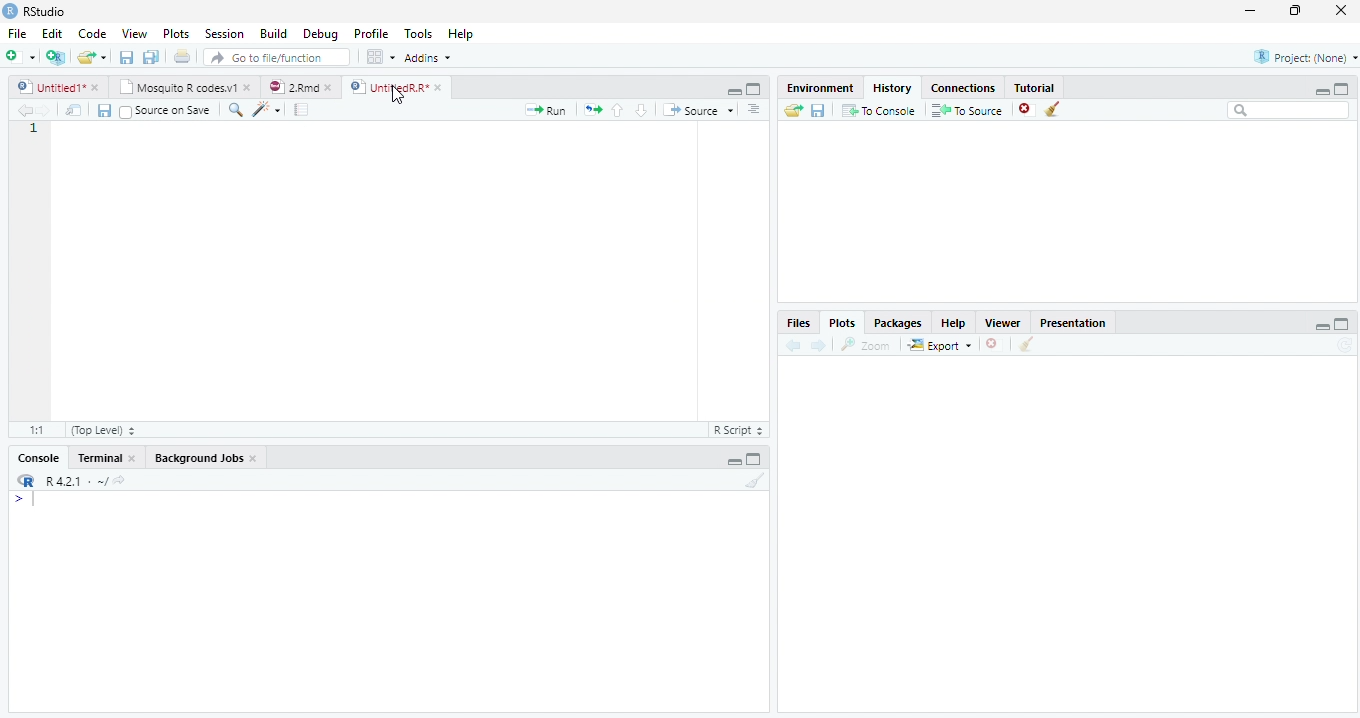  I want to click on Untitled, so click(60, 88).